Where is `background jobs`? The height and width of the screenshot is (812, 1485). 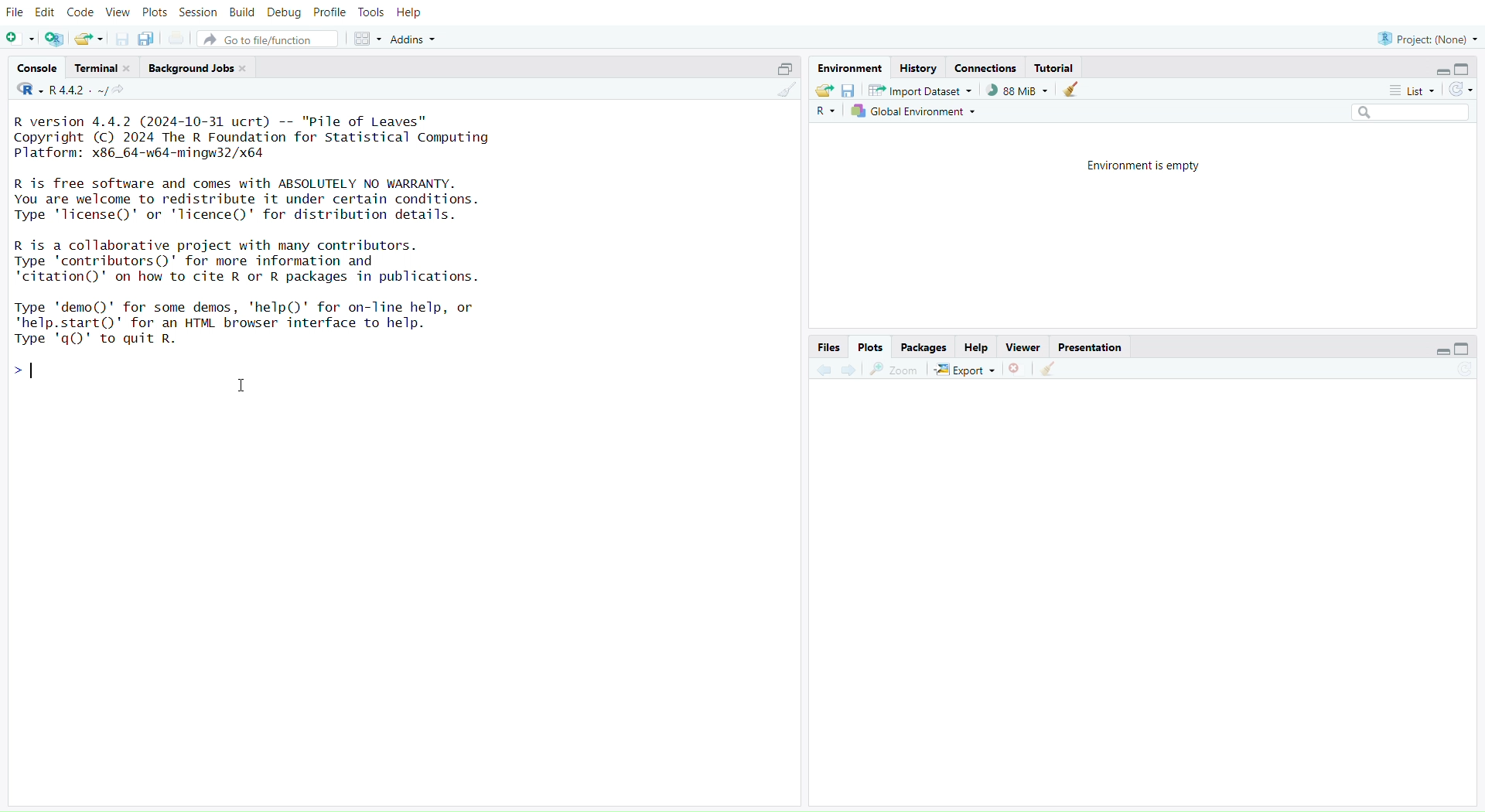
background jobs is located at coordinates (198, 67).